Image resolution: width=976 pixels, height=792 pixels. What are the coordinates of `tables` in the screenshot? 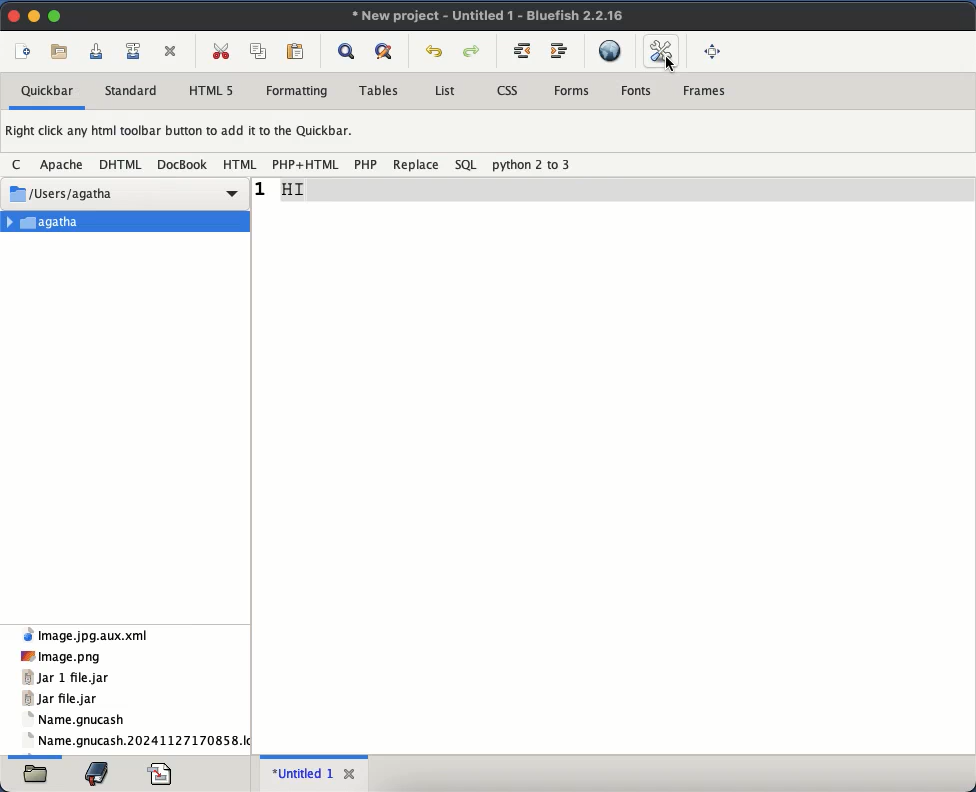 It's located at (381, 88).